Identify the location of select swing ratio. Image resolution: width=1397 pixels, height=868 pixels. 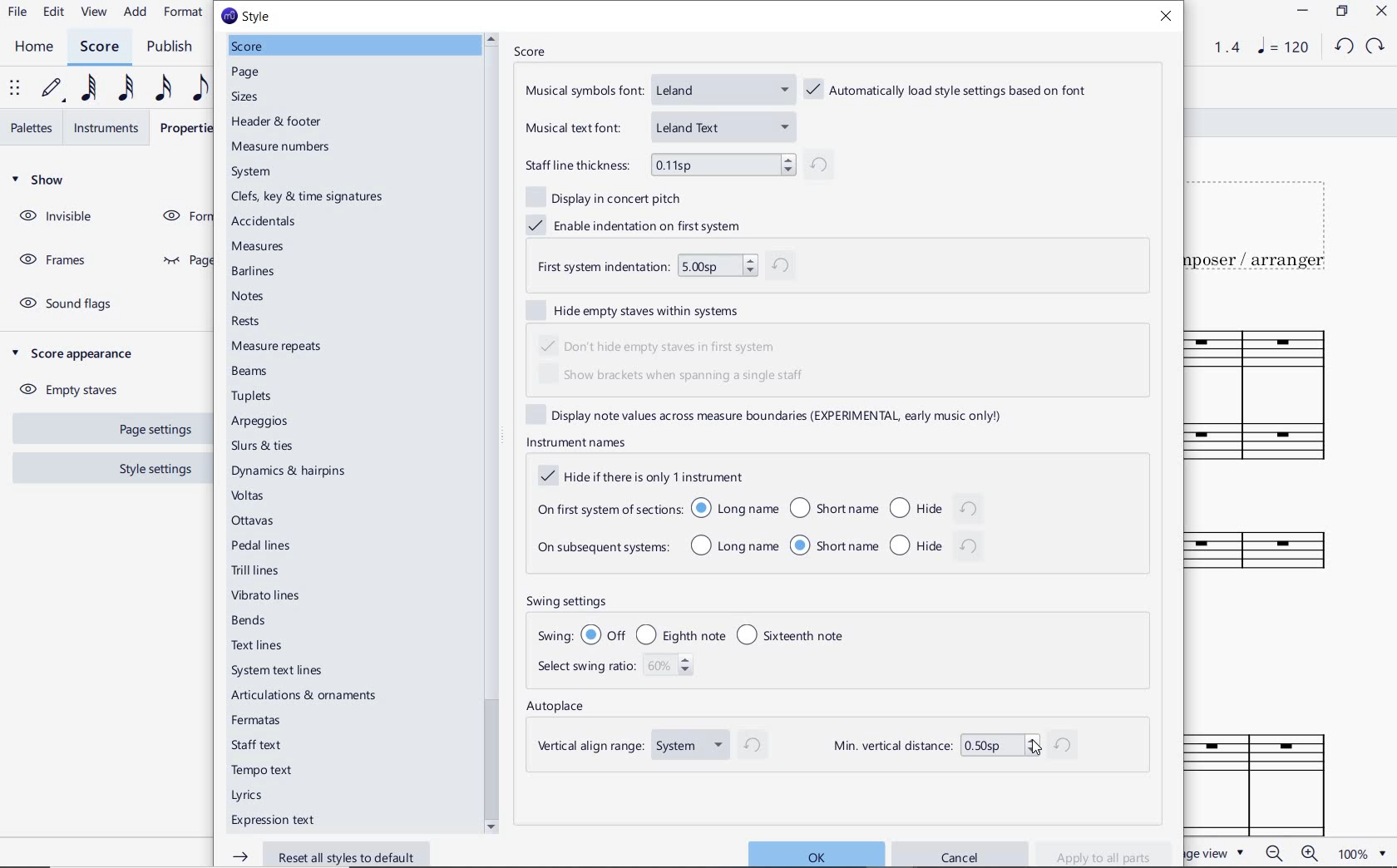
(619, 669).